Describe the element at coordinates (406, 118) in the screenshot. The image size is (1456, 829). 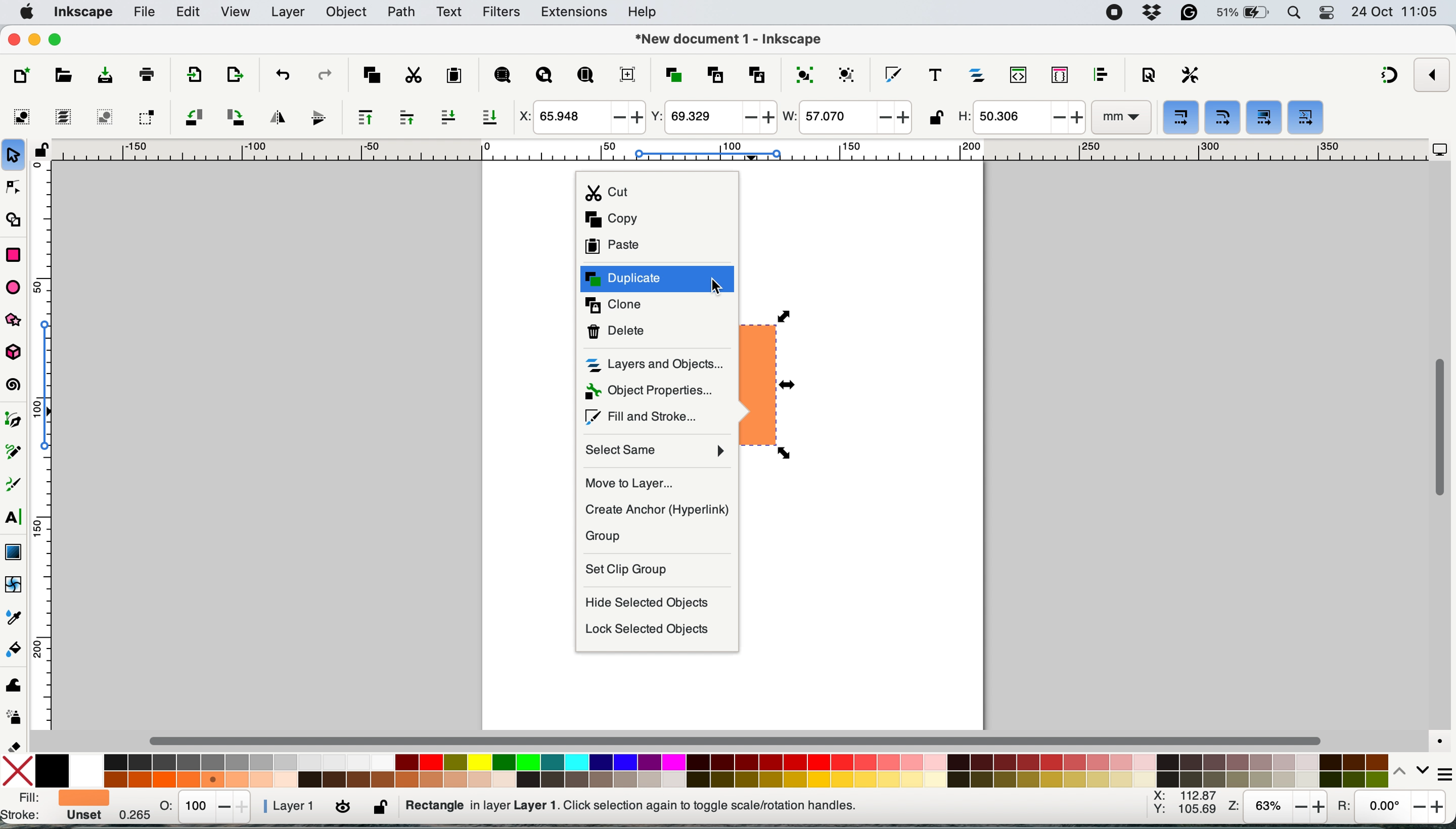
I see `raise selection one step` at that location.